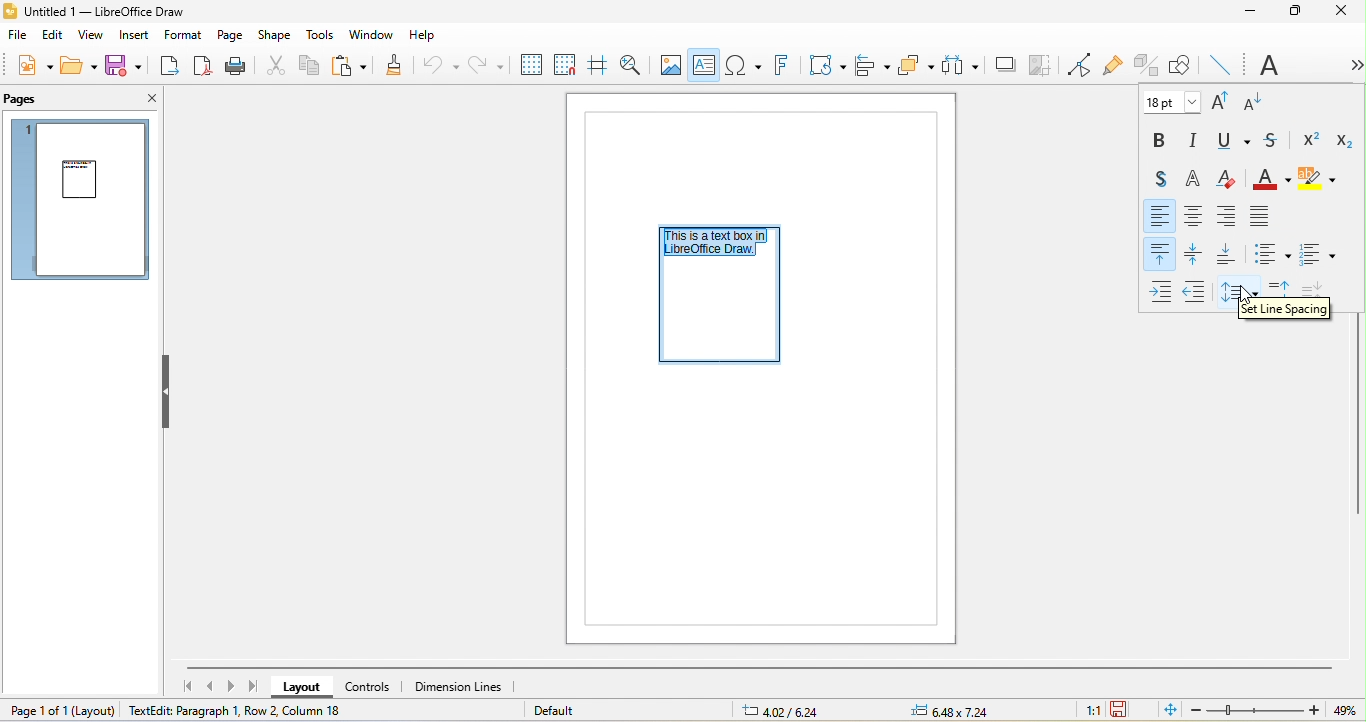  What do you see at coordinates (1341, 14) in the screenshot?
I see `close` at bounding box center [1341, 14].